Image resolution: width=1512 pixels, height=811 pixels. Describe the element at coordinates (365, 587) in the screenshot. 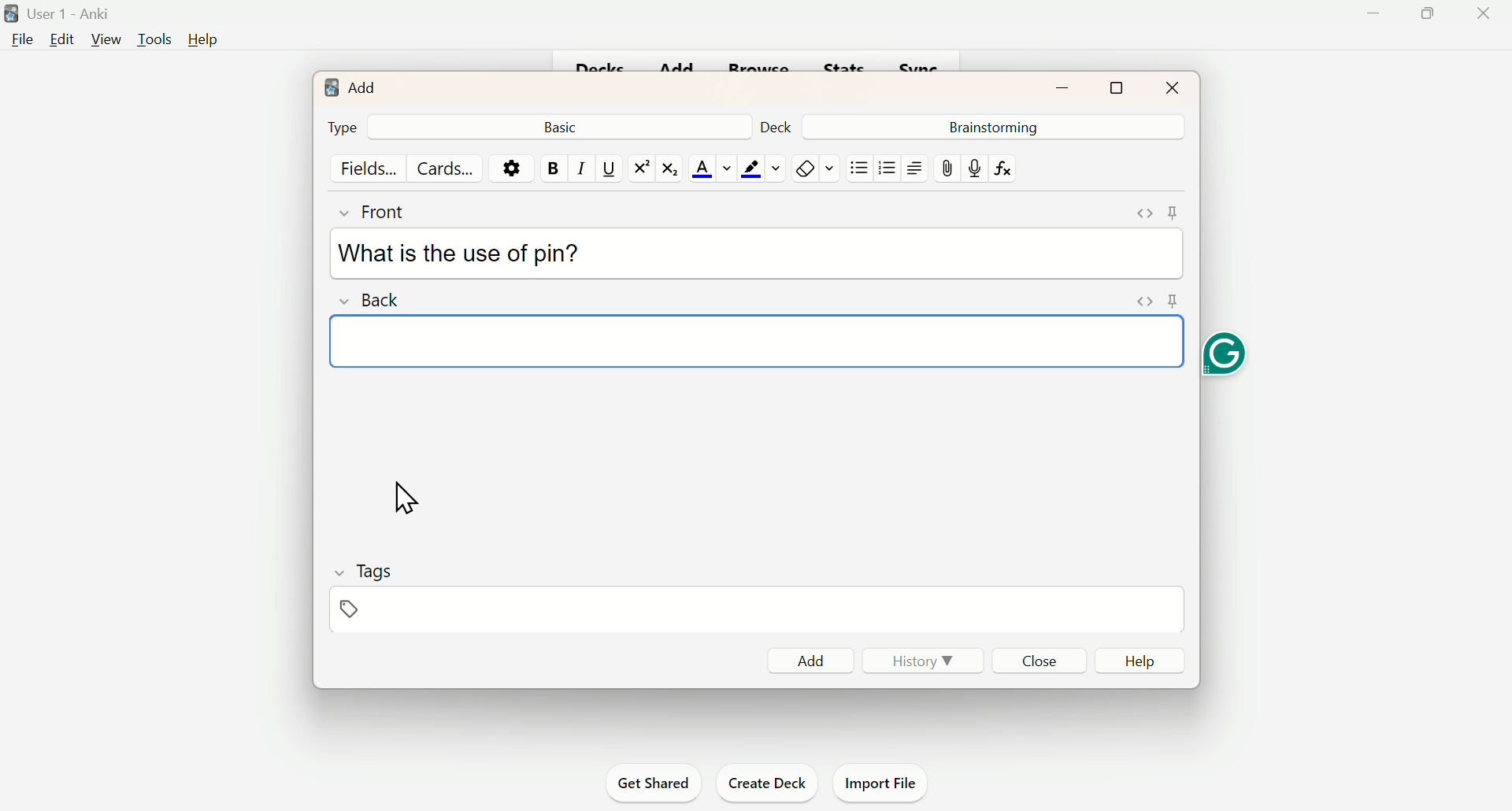

I see `Tags` at that location.